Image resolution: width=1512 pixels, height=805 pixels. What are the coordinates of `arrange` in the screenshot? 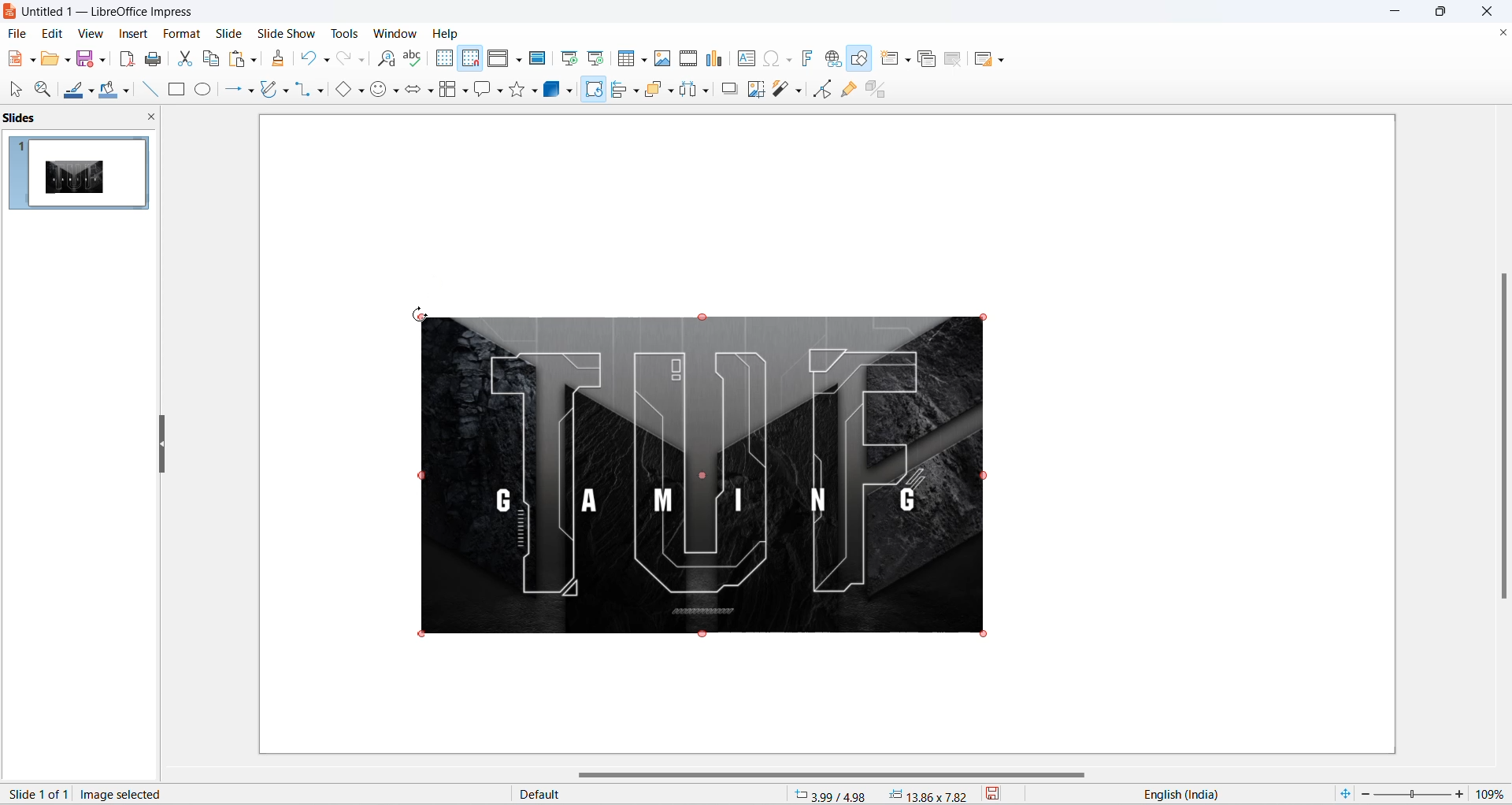 It's located at (658, 88).